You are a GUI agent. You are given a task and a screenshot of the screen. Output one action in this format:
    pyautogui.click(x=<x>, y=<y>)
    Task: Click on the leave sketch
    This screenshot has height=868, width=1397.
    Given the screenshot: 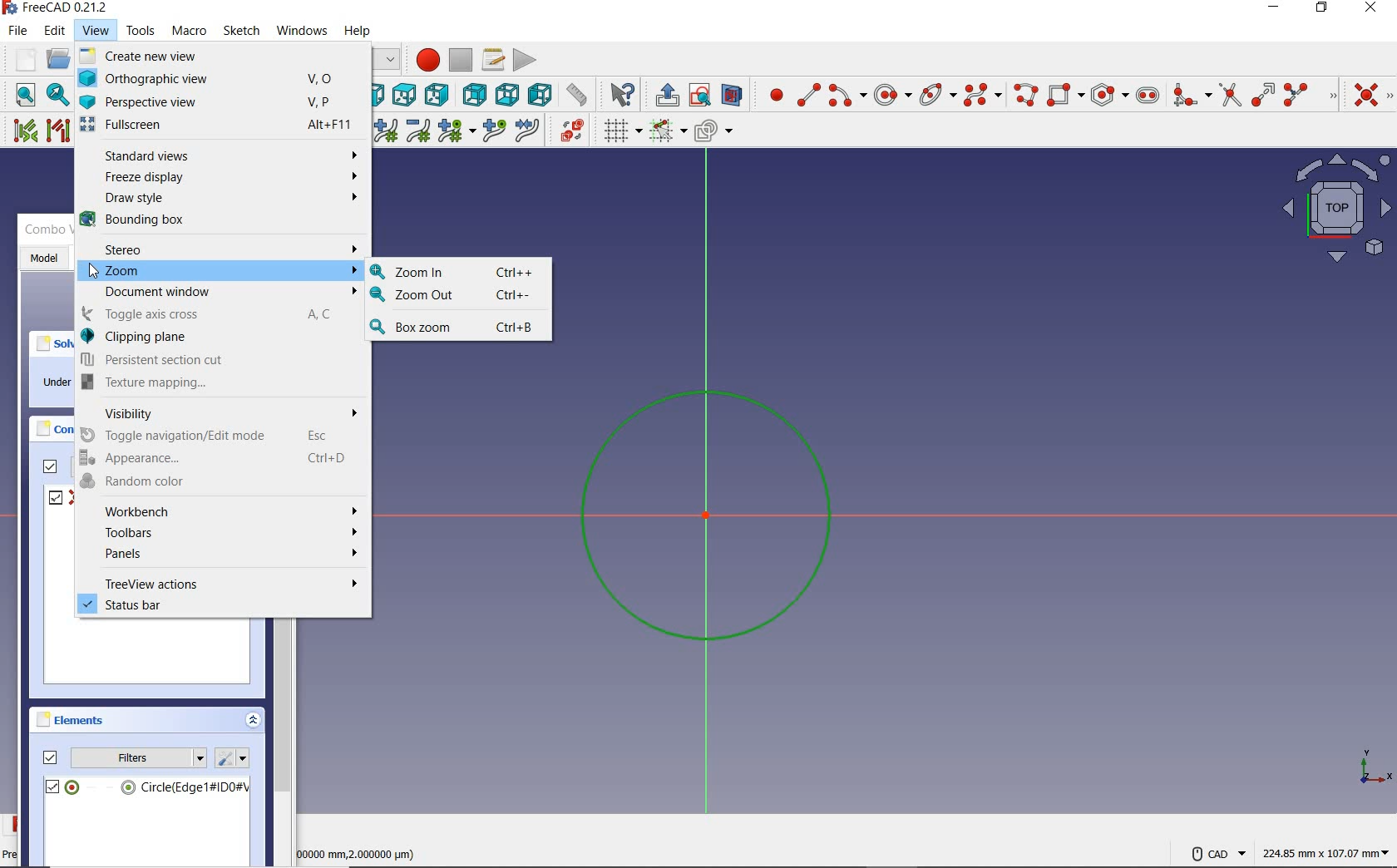 What is the action you would take?
    pyautogui.click(x=664, y=93)
    